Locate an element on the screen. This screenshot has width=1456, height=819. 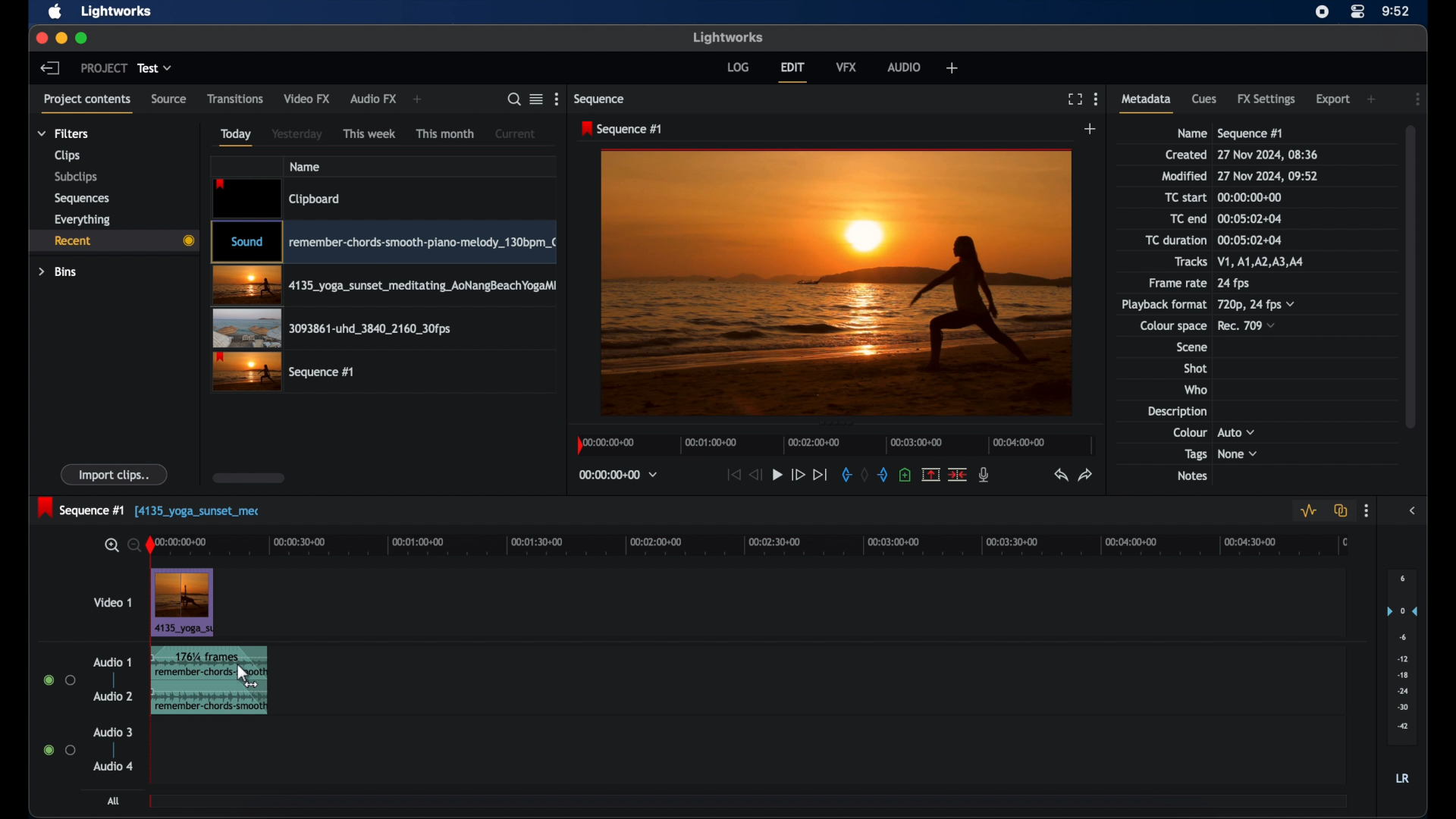
lightworks is located at coordinates (115, 12).